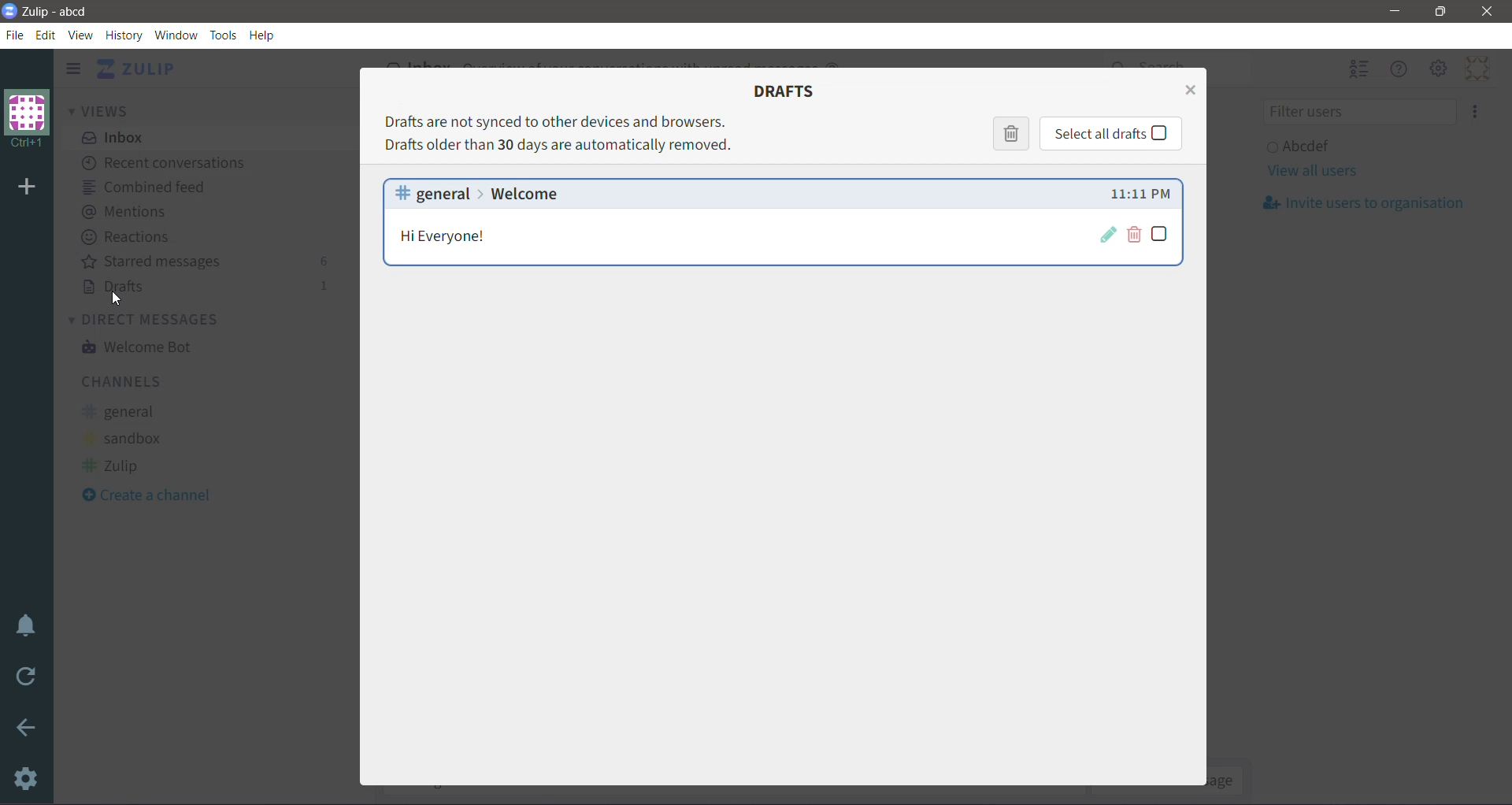  Describe the element at coordinates (1135, 236) in the screenshot. I see `Delete draft` at that location.